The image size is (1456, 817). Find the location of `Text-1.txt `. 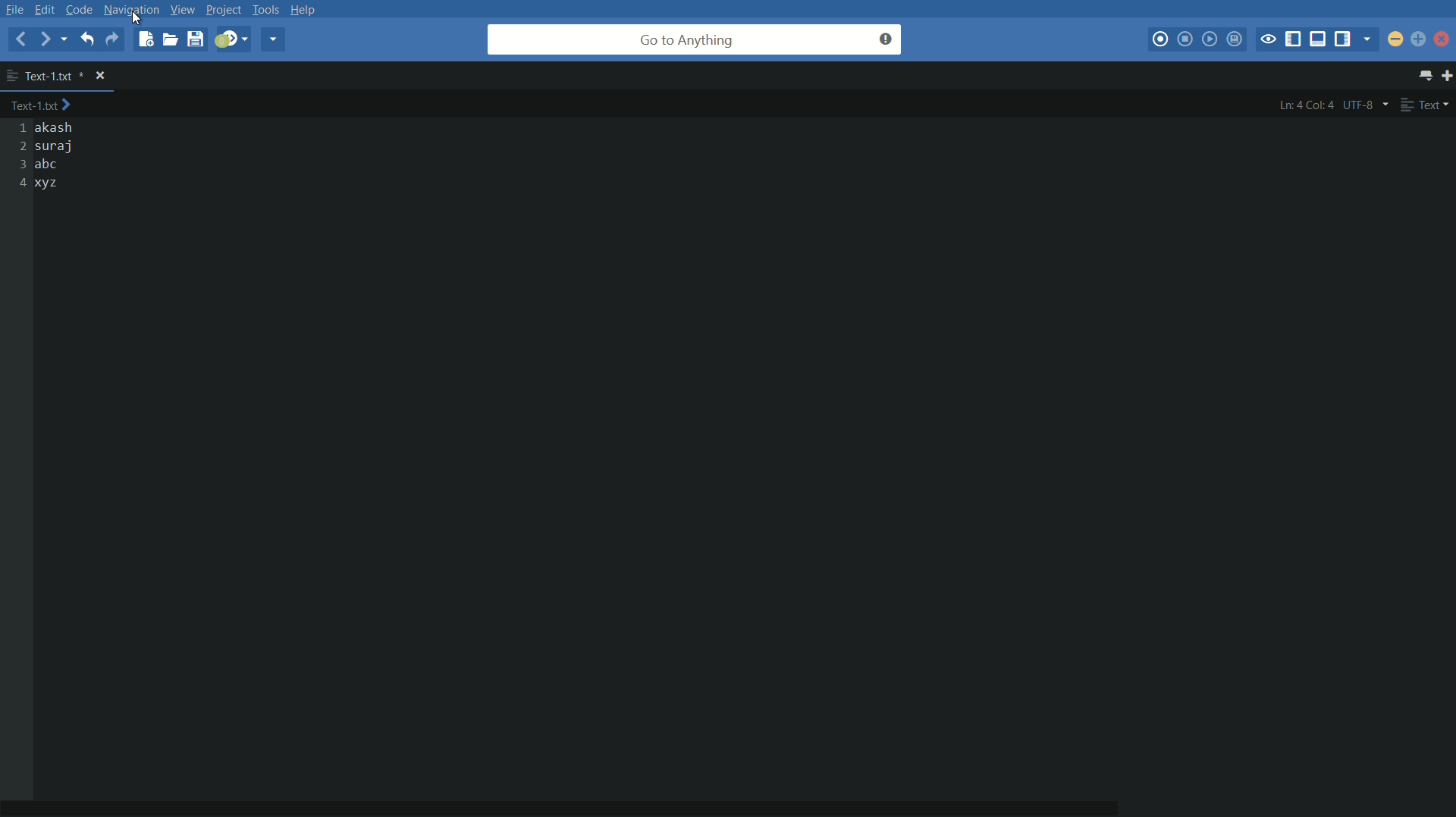

Text-1.txt  is located at coordinates (45, 106).